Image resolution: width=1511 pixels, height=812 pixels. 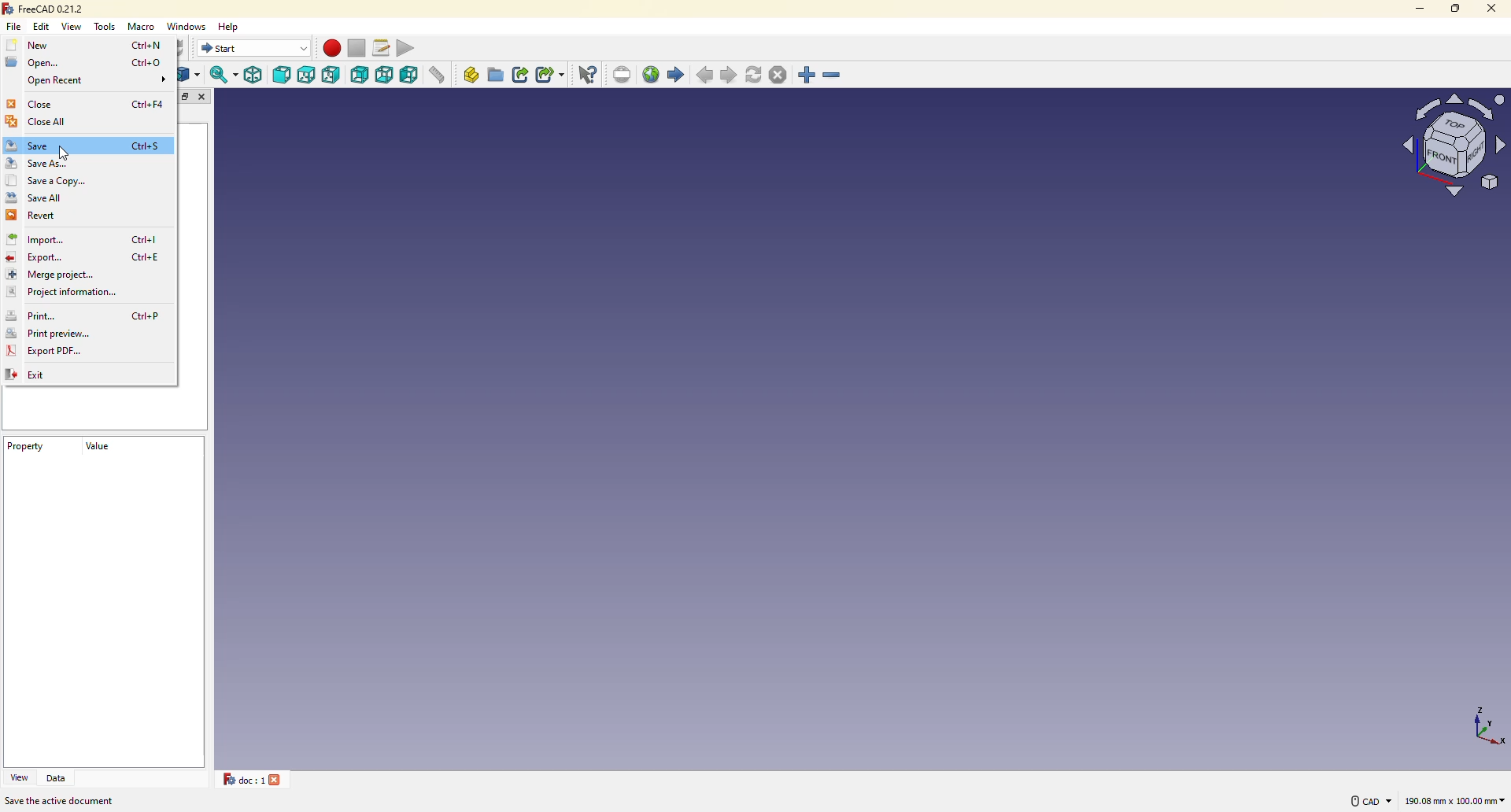 I want to click on merge prject, so click(x=47, y=275).